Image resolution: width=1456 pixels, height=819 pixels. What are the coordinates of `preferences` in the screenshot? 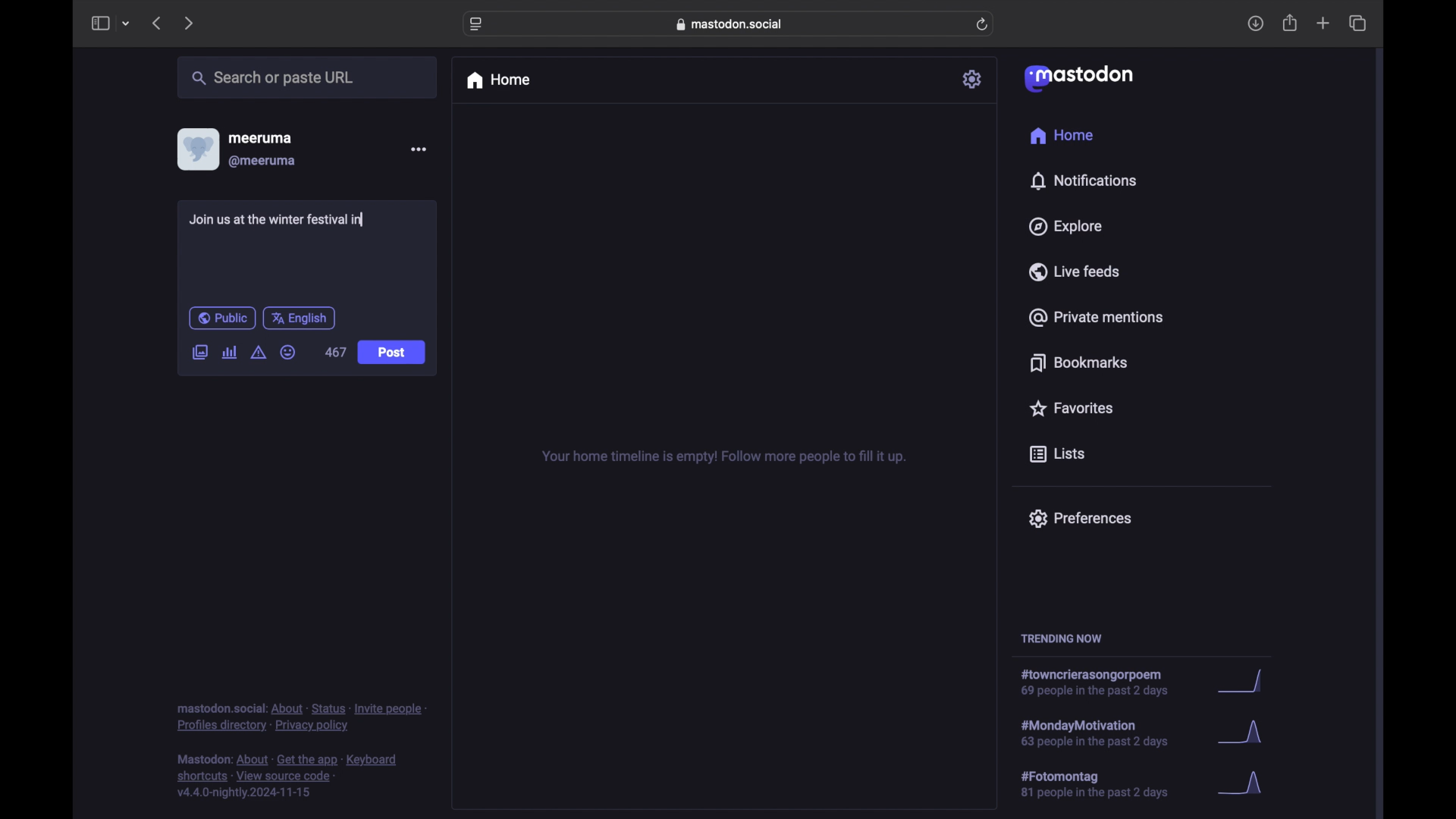 It's located at (1079, 517).